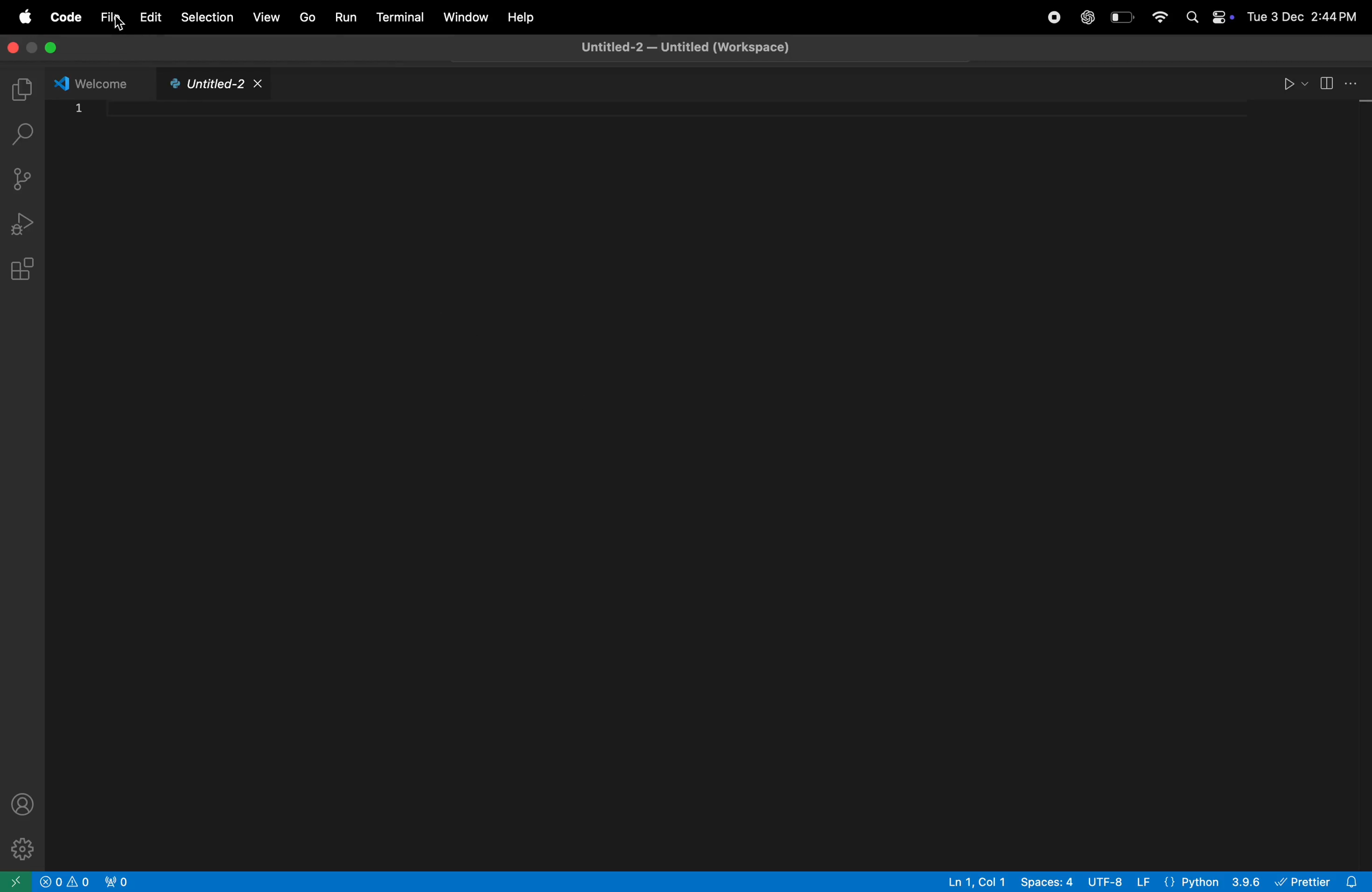 The height and width of the screenshot is (892, 1372). I want to click on record, so click(1053, 17).